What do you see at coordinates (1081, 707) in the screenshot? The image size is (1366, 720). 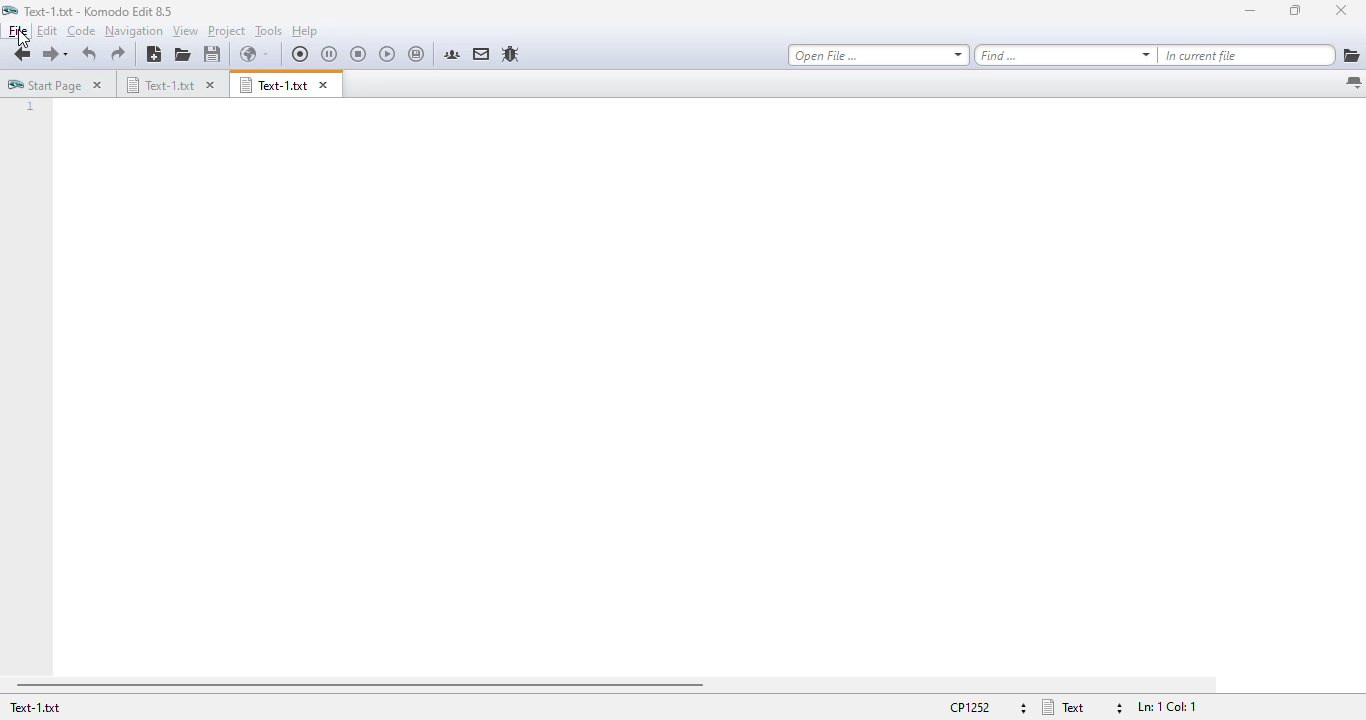 I see `file type` at bounding box center [1081, 707].